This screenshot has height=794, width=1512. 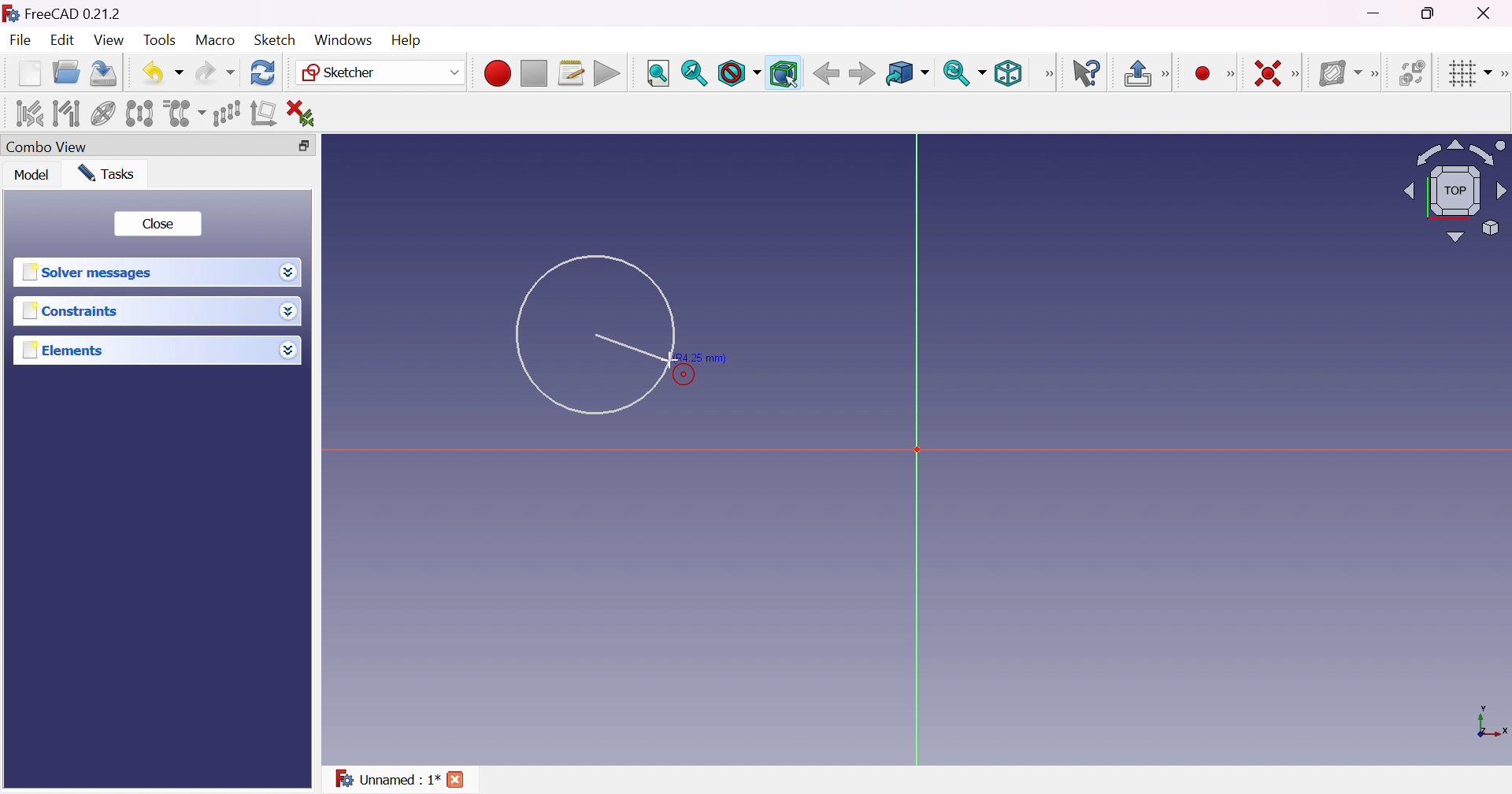 What do you see at coordinates (1340, 74) in the screenshot?
I see `Show/hide B-spline information layer` at bounding box center [1340, 74].